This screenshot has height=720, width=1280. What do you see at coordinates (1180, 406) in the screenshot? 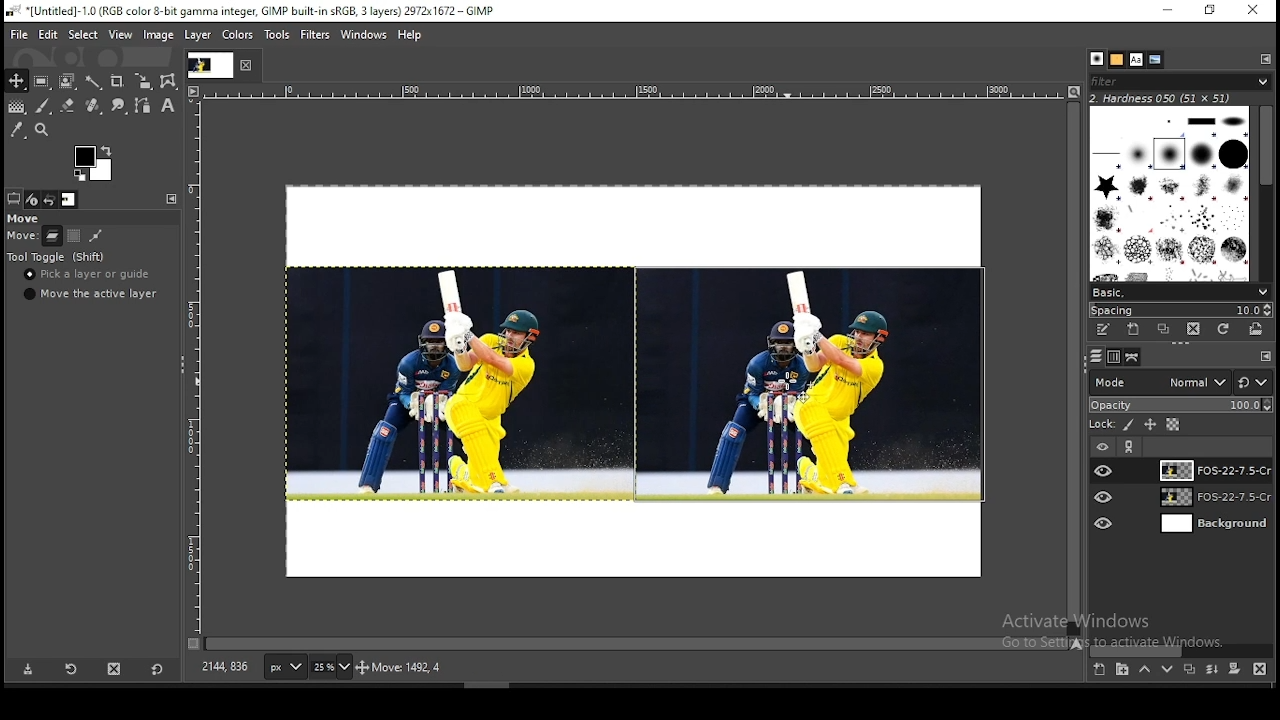
I see `opacity` at bounding box center [1180, 406].